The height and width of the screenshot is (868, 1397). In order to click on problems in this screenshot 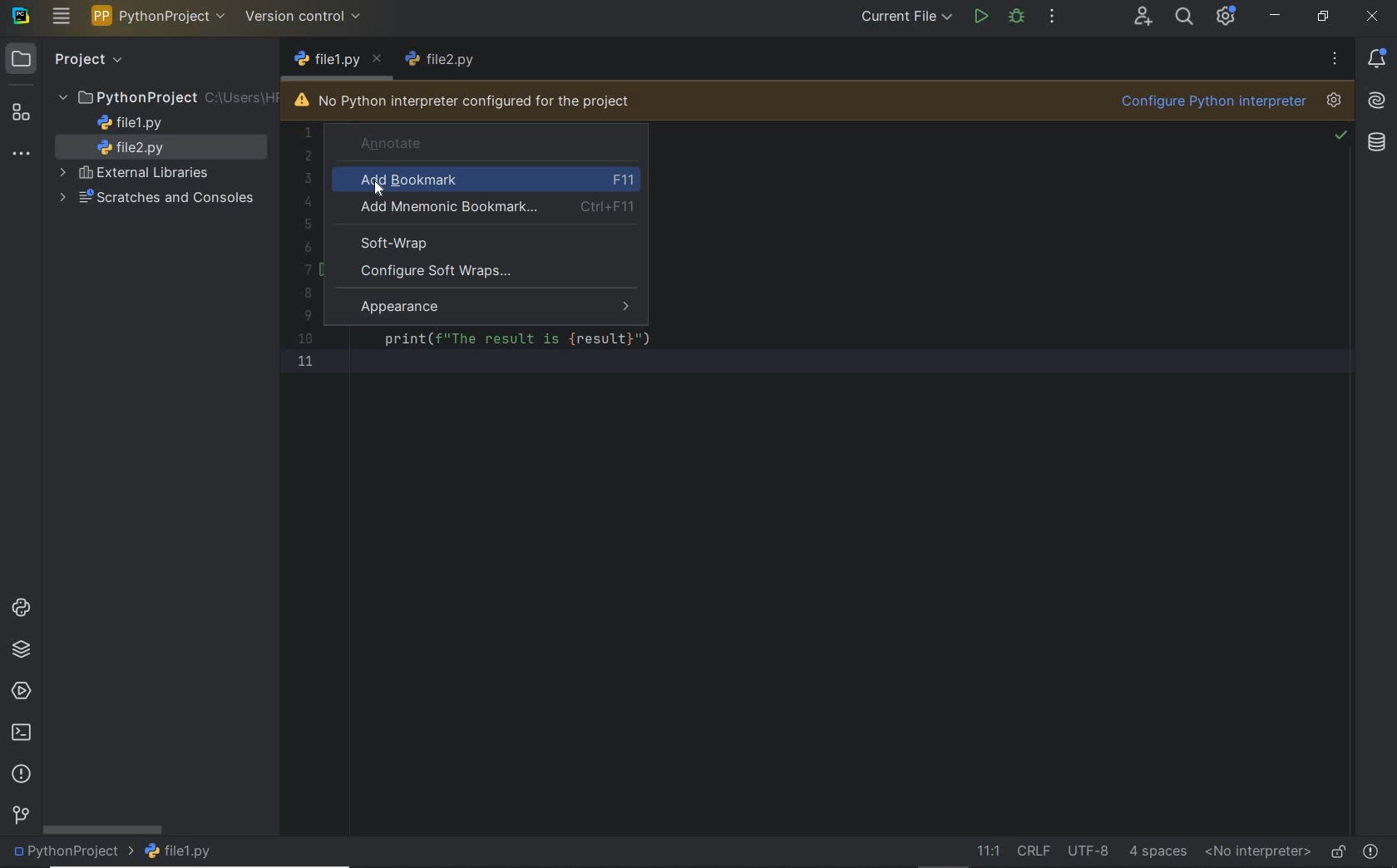, I will do `click(1372, 849)`.